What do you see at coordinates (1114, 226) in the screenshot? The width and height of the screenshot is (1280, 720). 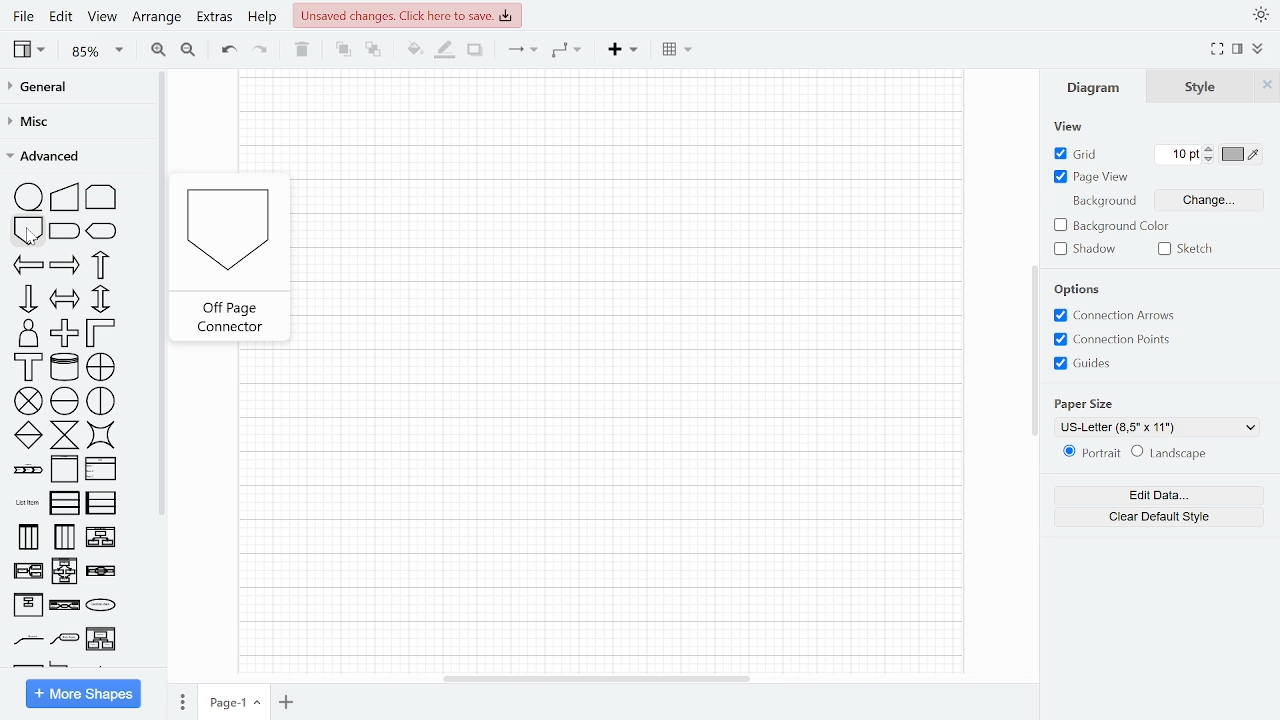 I see `Background color` at bounding box center [1114, 226].